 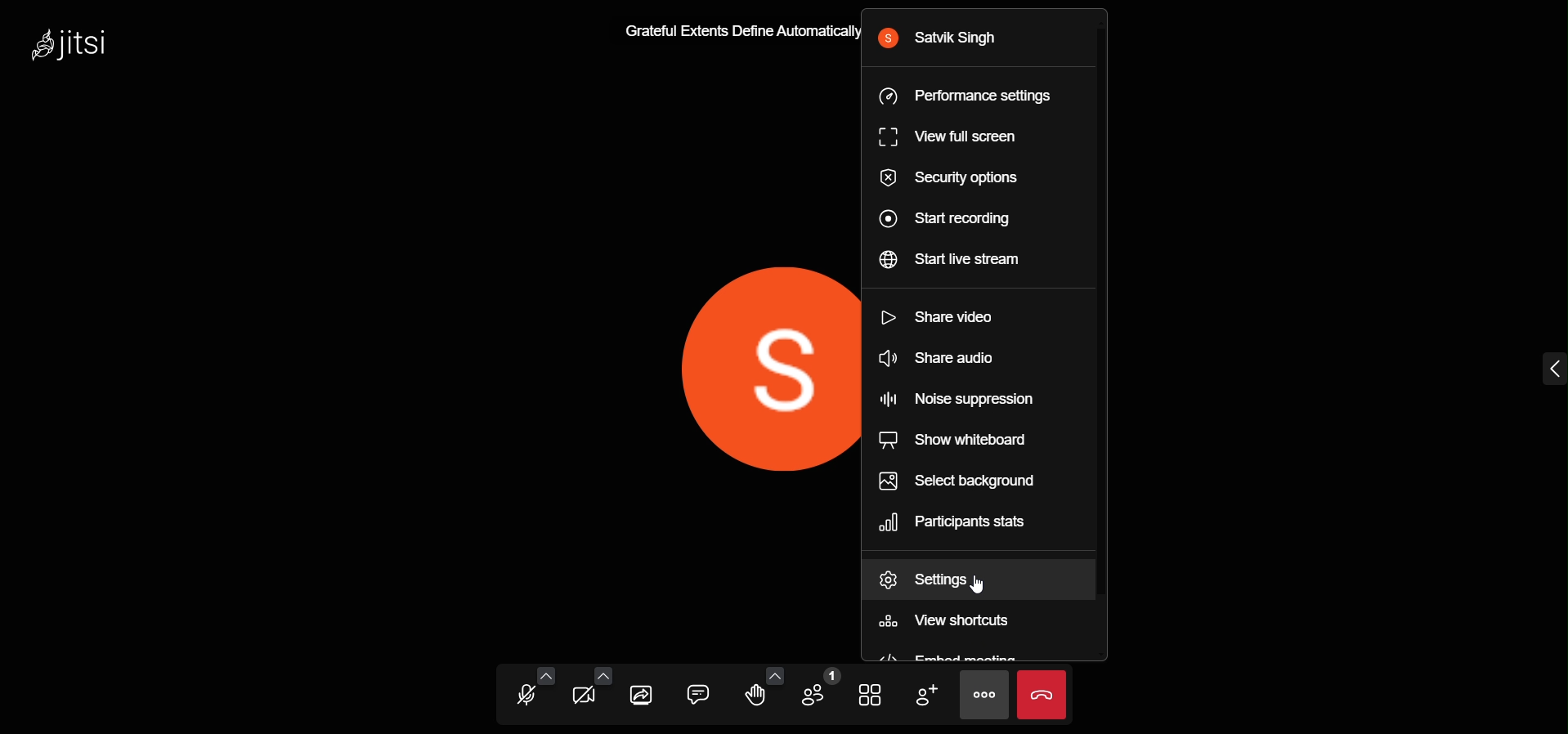 What do you see at coordinates (946, 317) in the screenshot?
I see `share video` at bounding box center [946, 317].